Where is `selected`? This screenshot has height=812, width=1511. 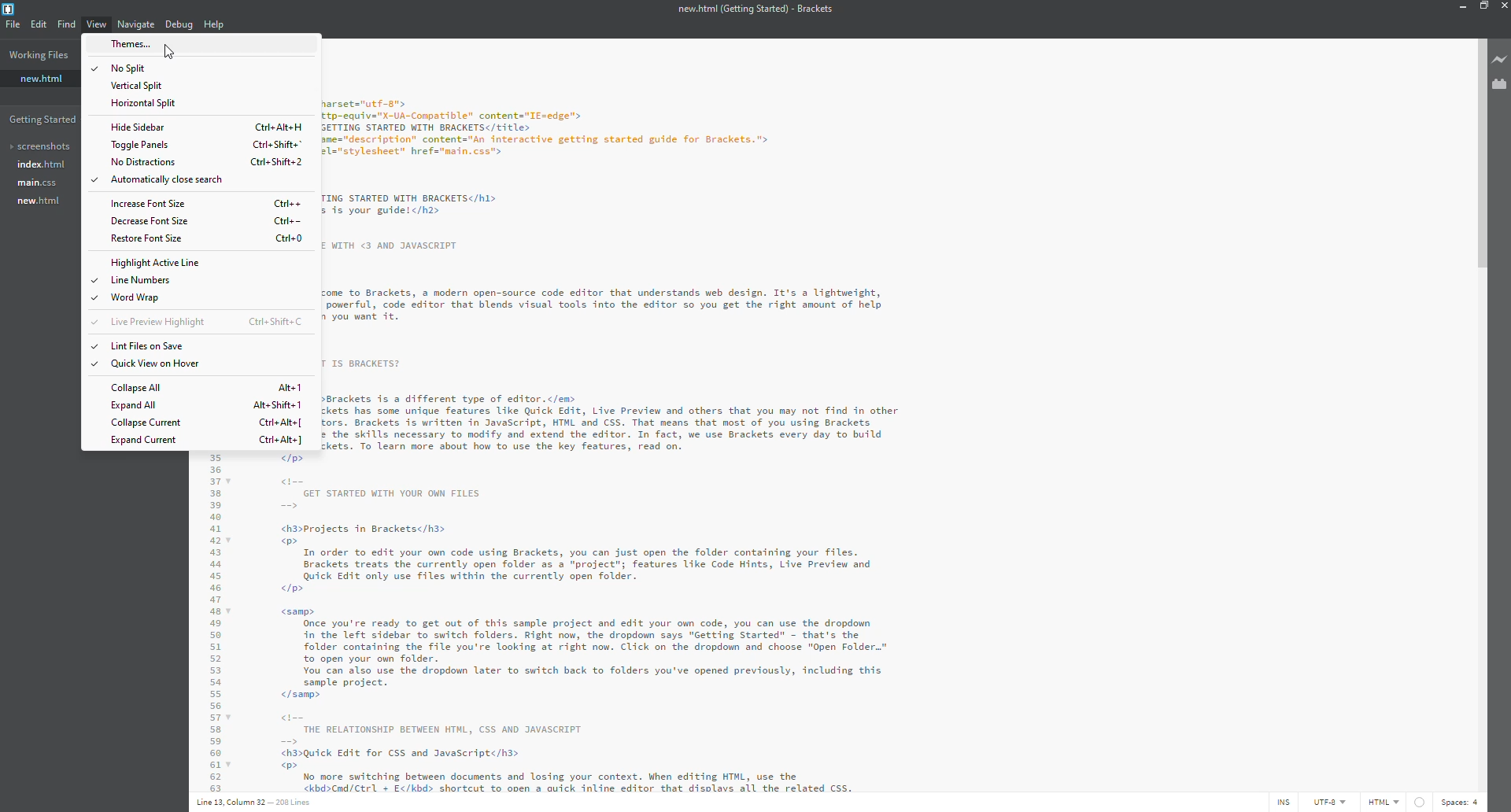 selected is located at coordinates (92, 179).